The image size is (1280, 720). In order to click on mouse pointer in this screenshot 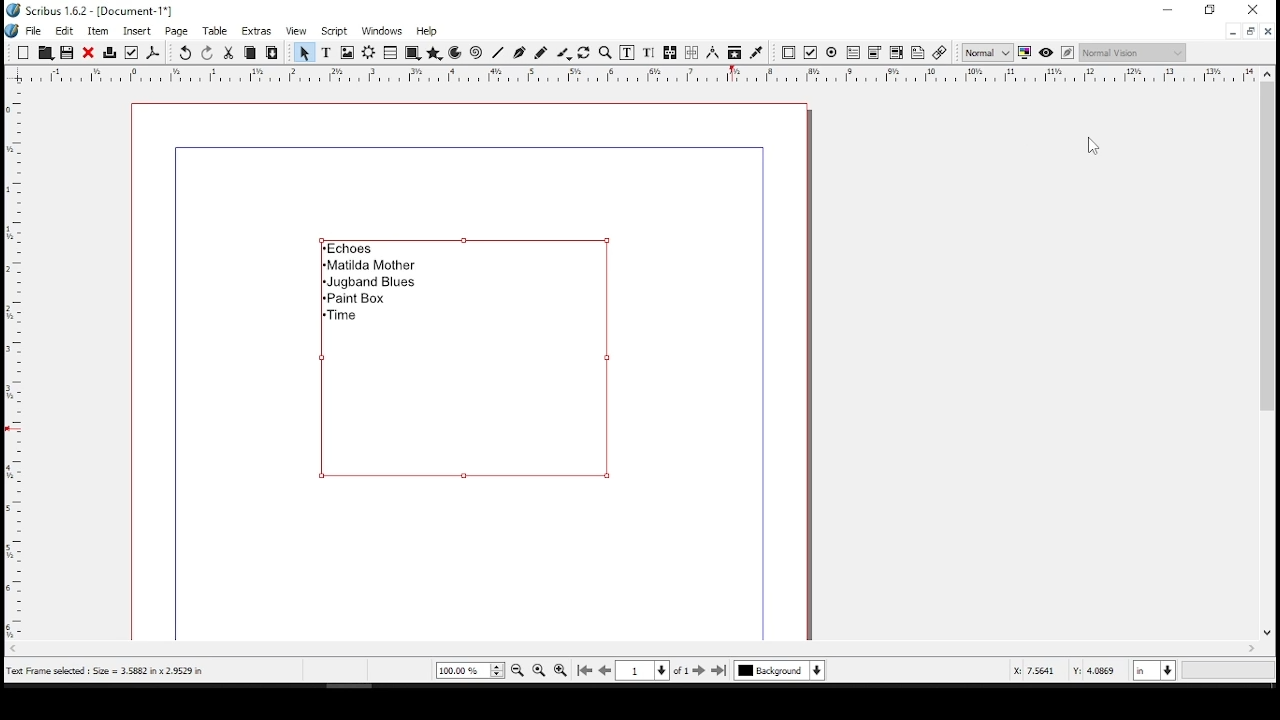, I will do `click(1092, 147)`.